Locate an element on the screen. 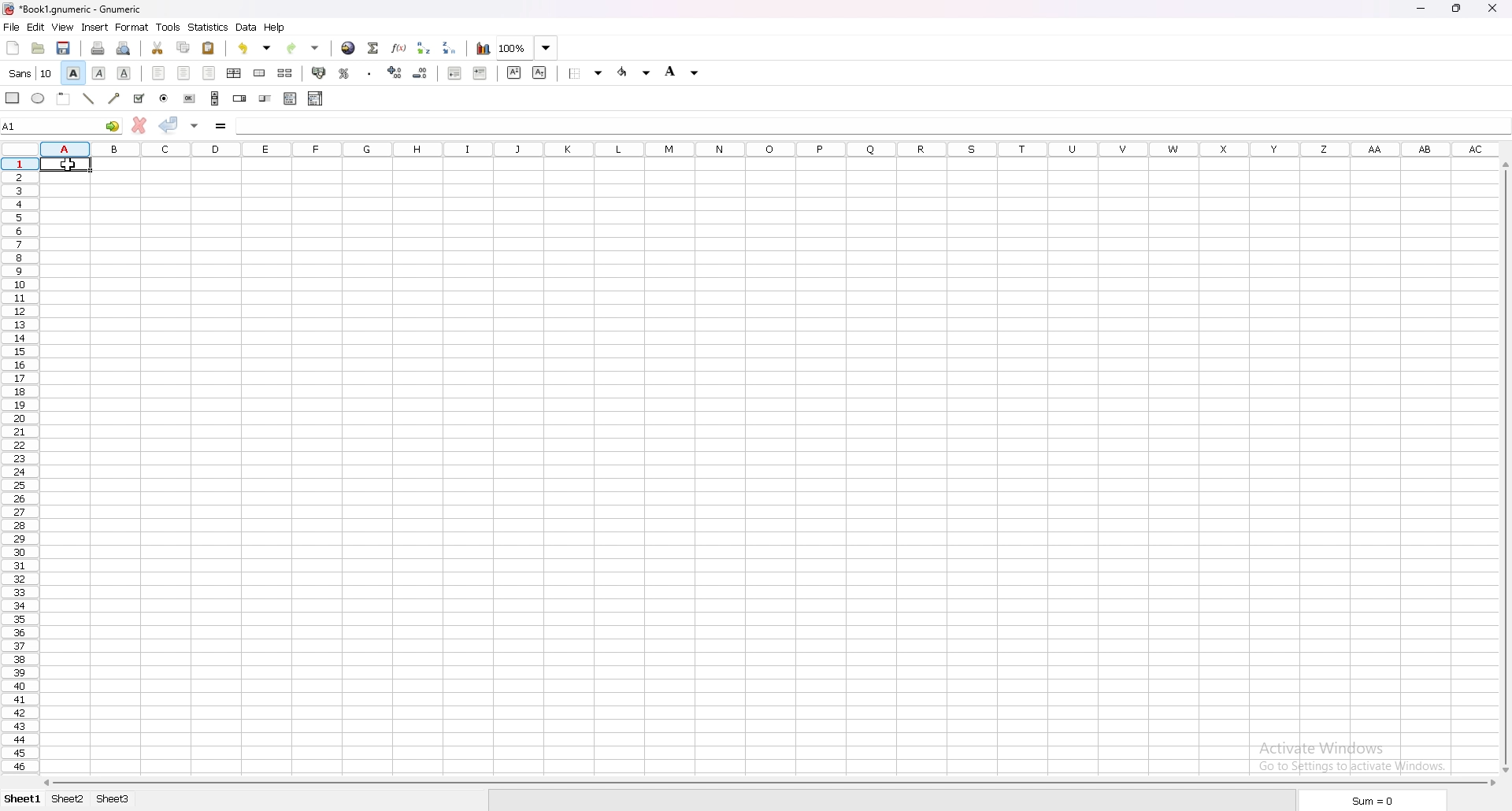 This screenshot has width=1512, height=811. slider is located at coordinates (266, 98).